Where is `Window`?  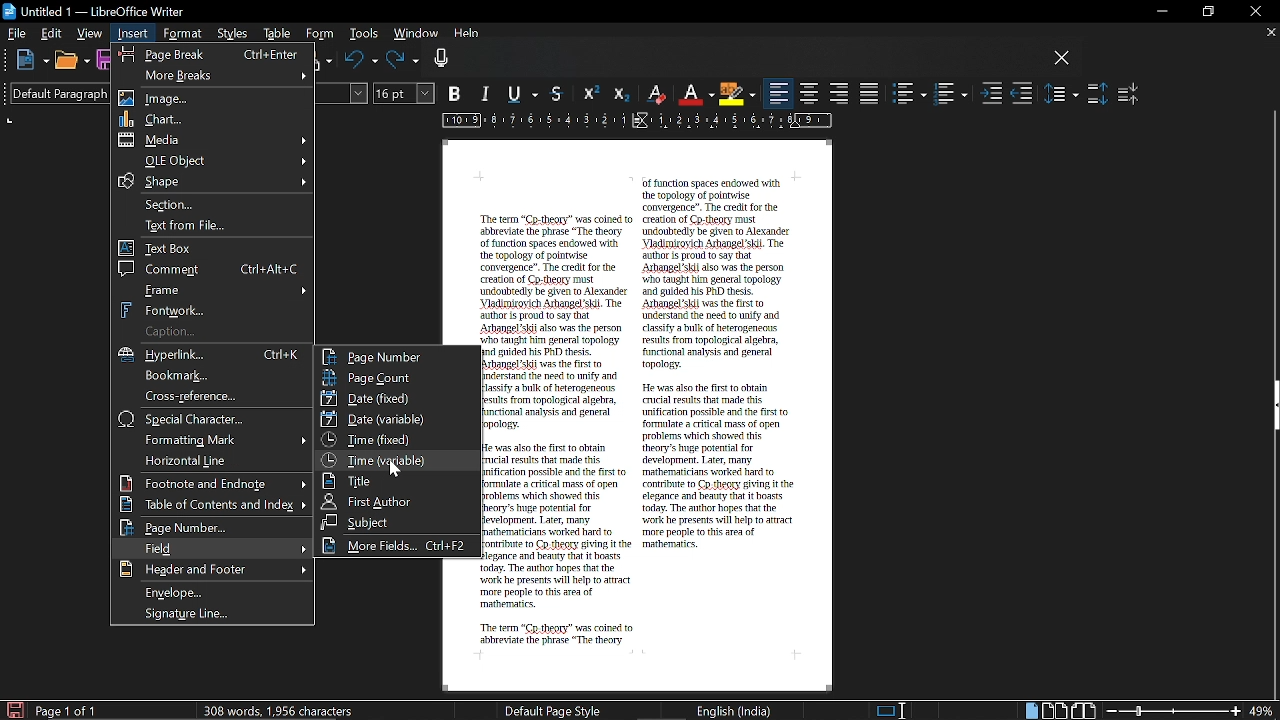 Window is located at coordinates (414, 35).